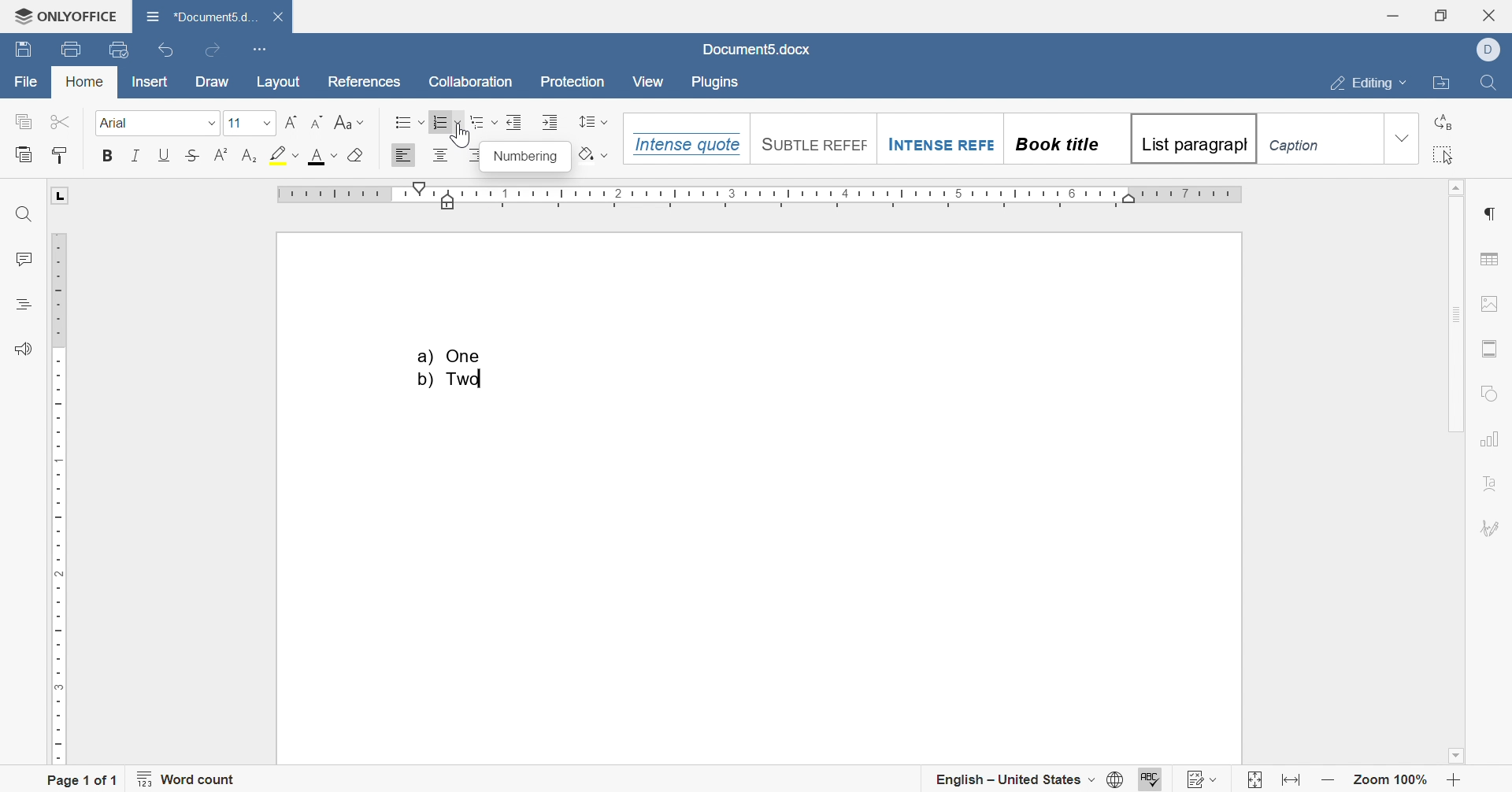 Image resolution: width=1512 pixels, height=792 pixels. What do you see at coordinates (1254, 781) in the screenshot?
I see `fit to slide` at bounding box center [1254, 781].